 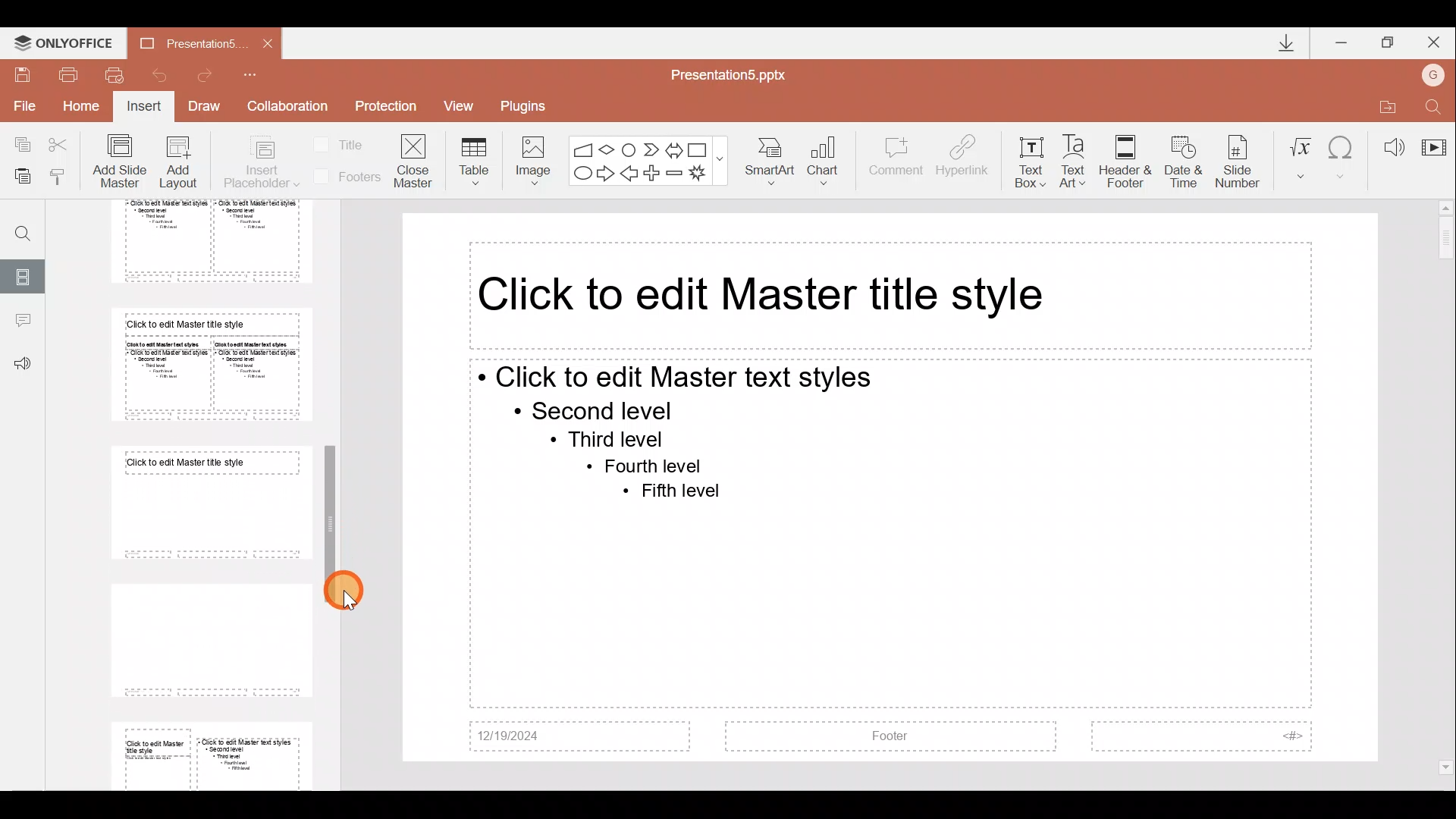 What do you see at coordinates (22, 322) in the screenshot?
I see `Comments` at bounding box center [22, 322].